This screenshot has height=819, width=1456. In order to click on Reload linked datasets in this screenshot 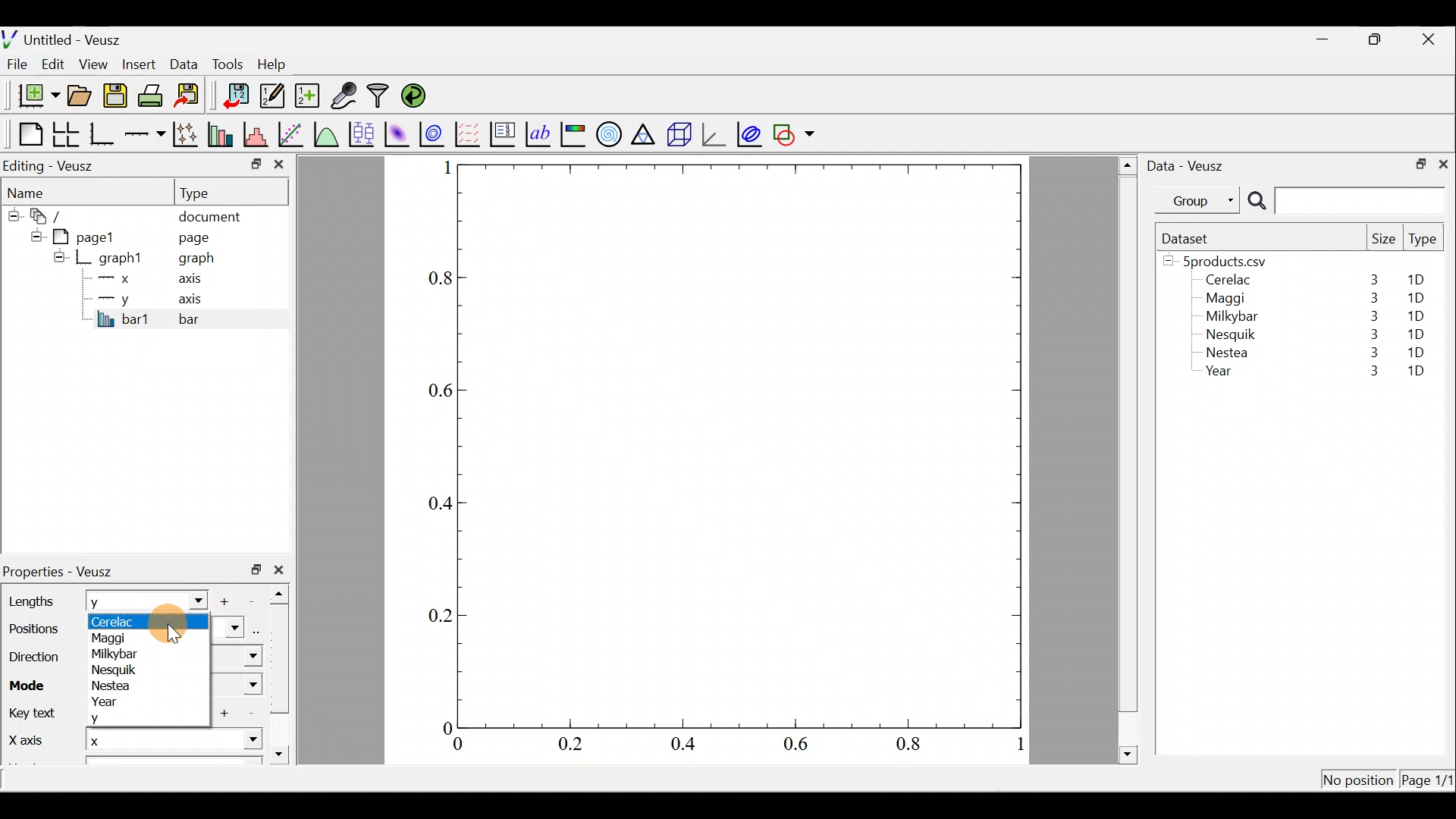, I will do `click(417, 95)`.